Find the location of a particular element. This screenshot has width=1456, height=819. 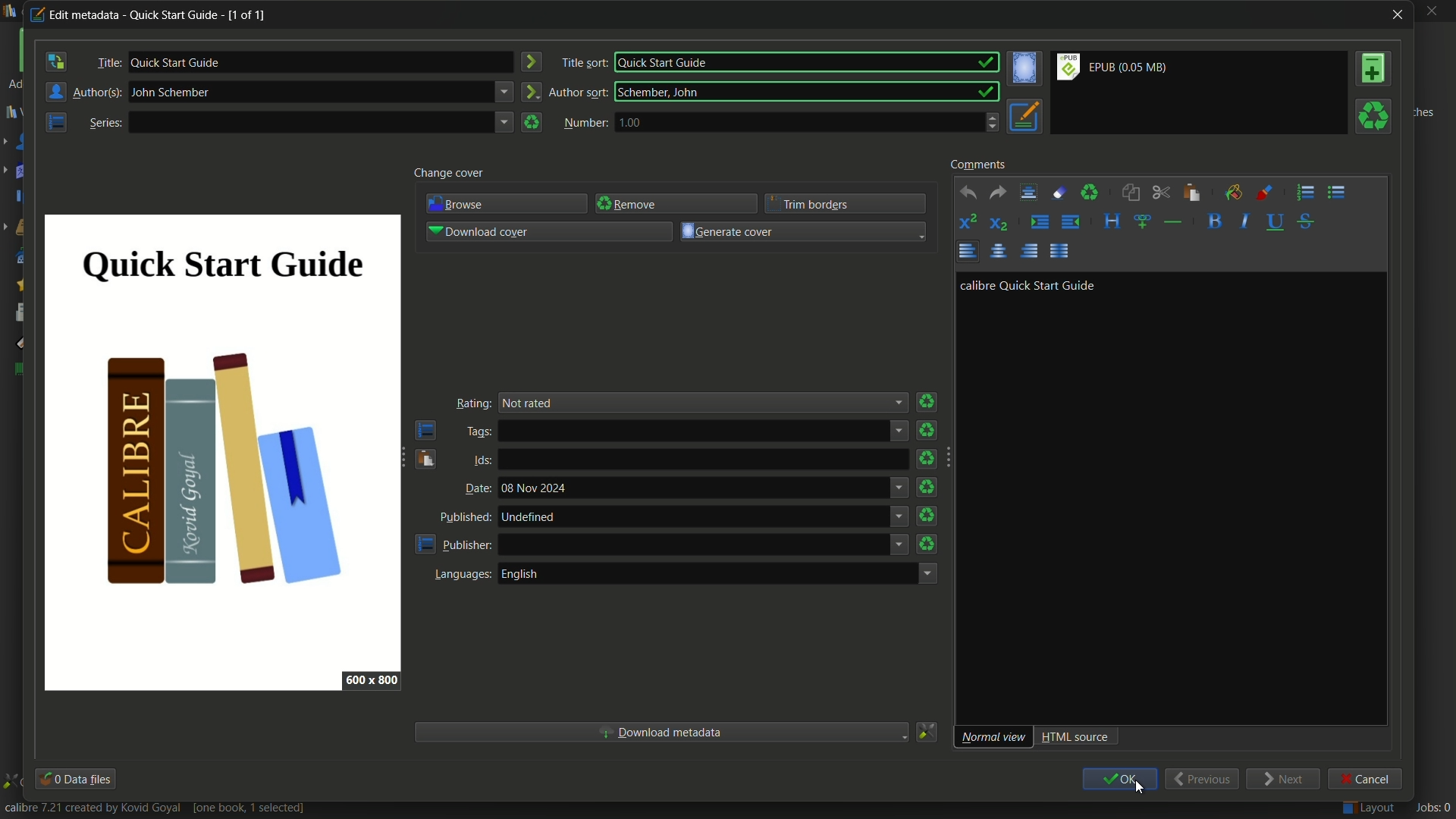

underline is located at coordinates (1278, 221).